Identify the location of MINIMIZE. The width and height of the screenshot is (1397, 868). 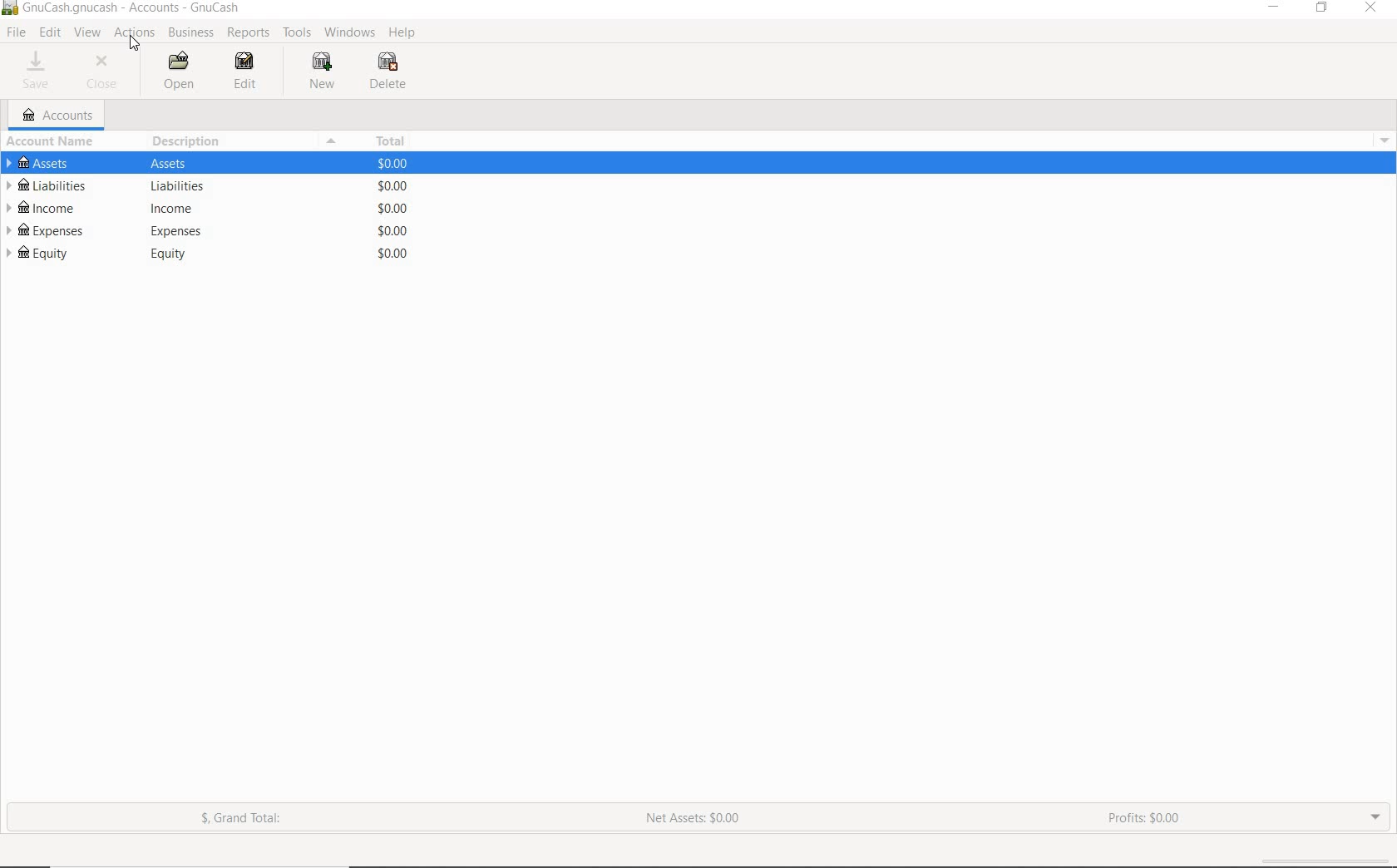
(1275, 7).